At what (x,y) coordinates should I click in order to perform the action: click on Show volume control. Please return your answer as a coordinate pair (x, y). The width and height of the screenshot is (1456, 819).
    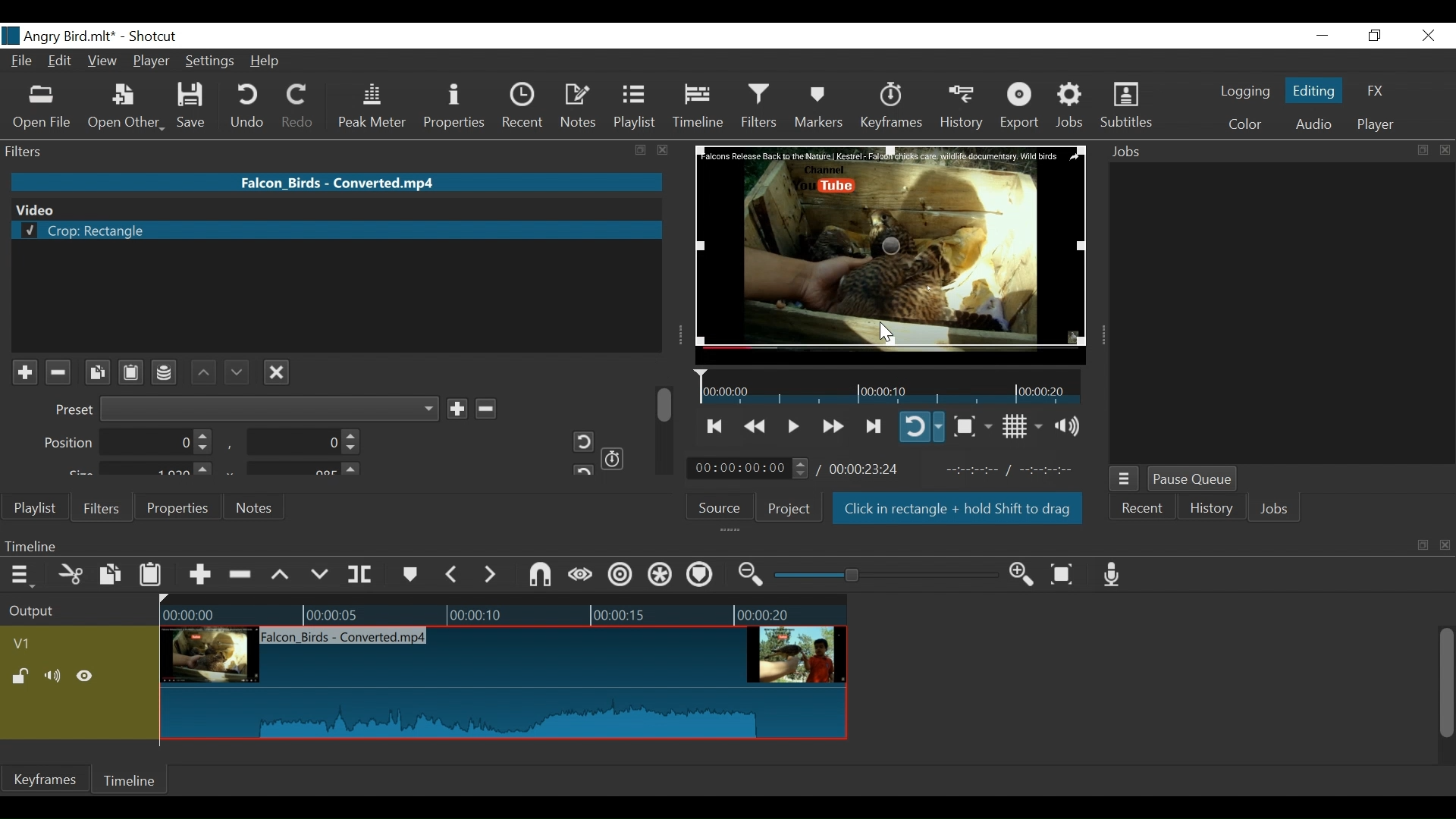
    Looking at the image, I should click on (1073, 426).